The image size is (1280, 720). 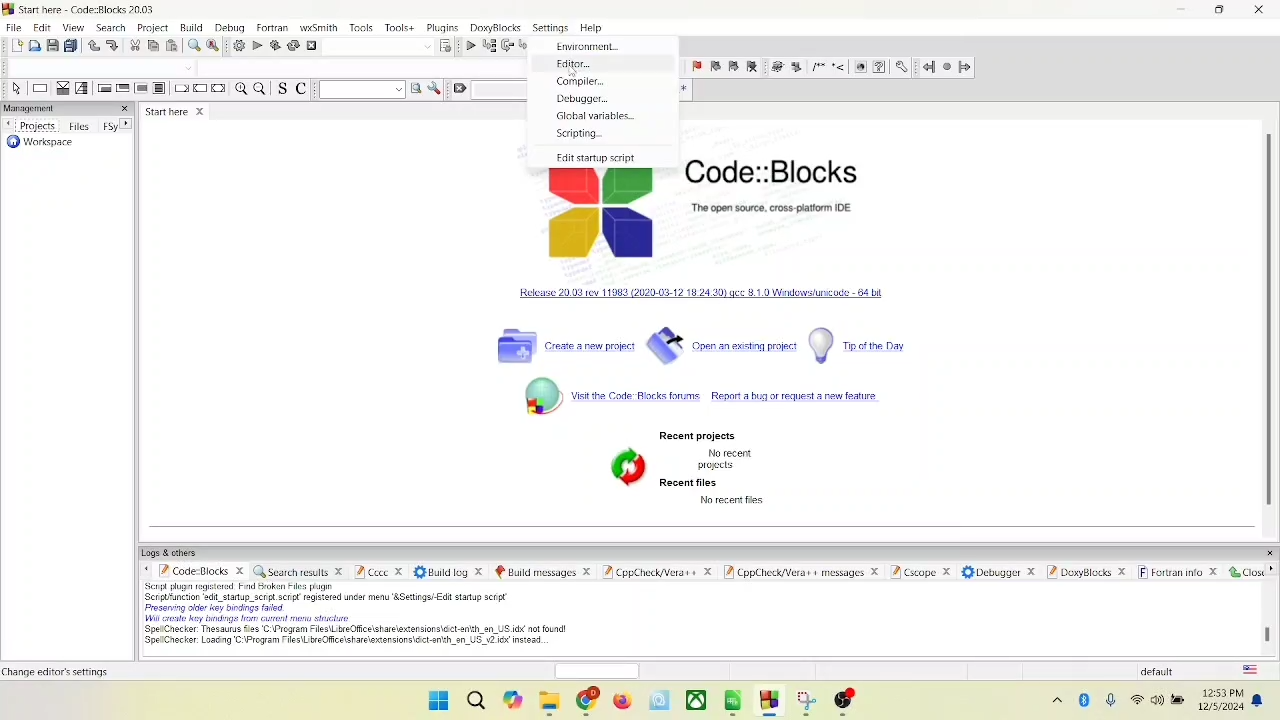 I want to click on doxyblocks, so click(x=1089, y=574).